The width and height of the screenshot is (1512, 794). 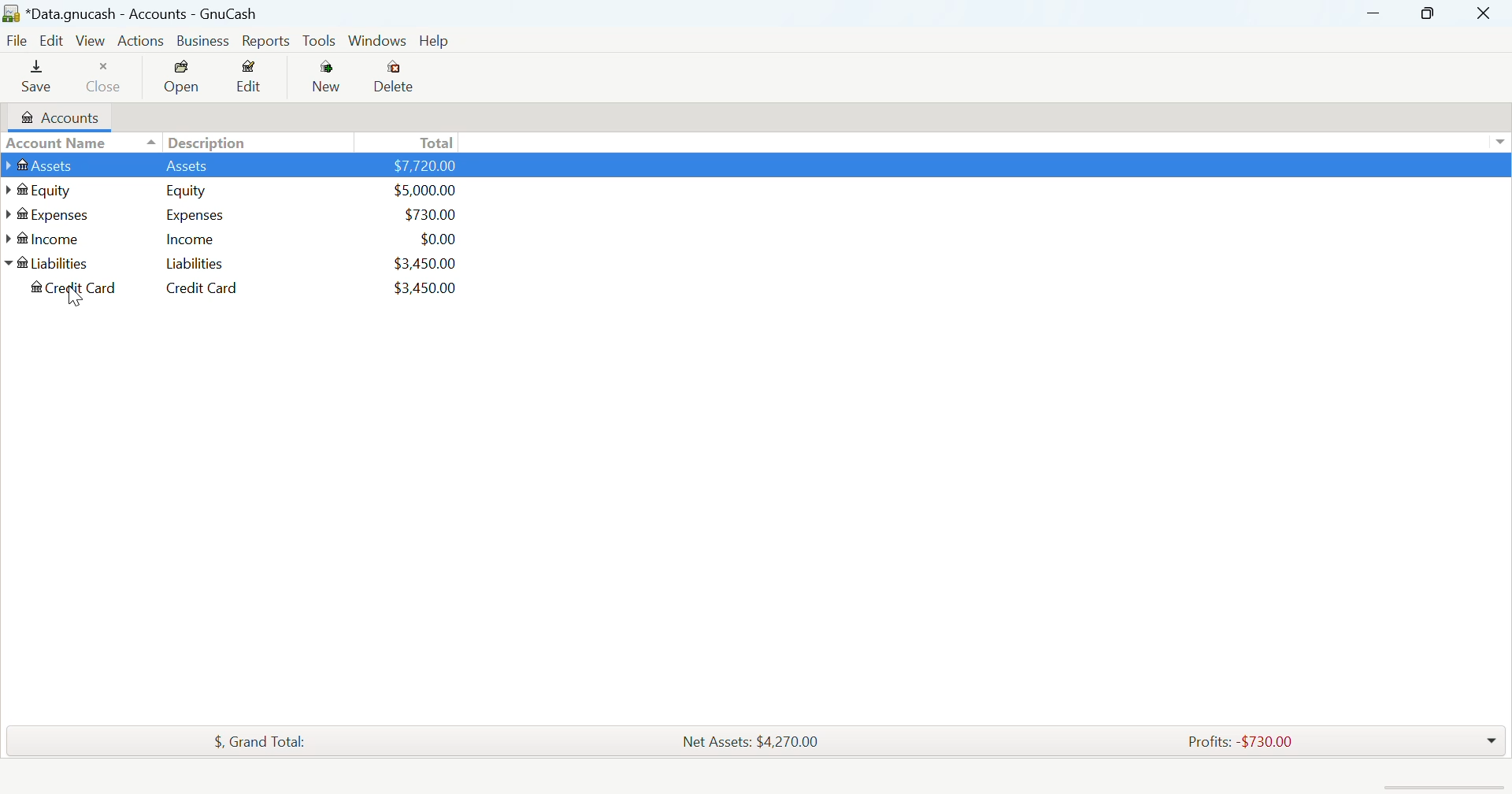 What do you see at coordinates (50, 42) in the screenshot?
I see `Edit` at bounding box center [50, 42].